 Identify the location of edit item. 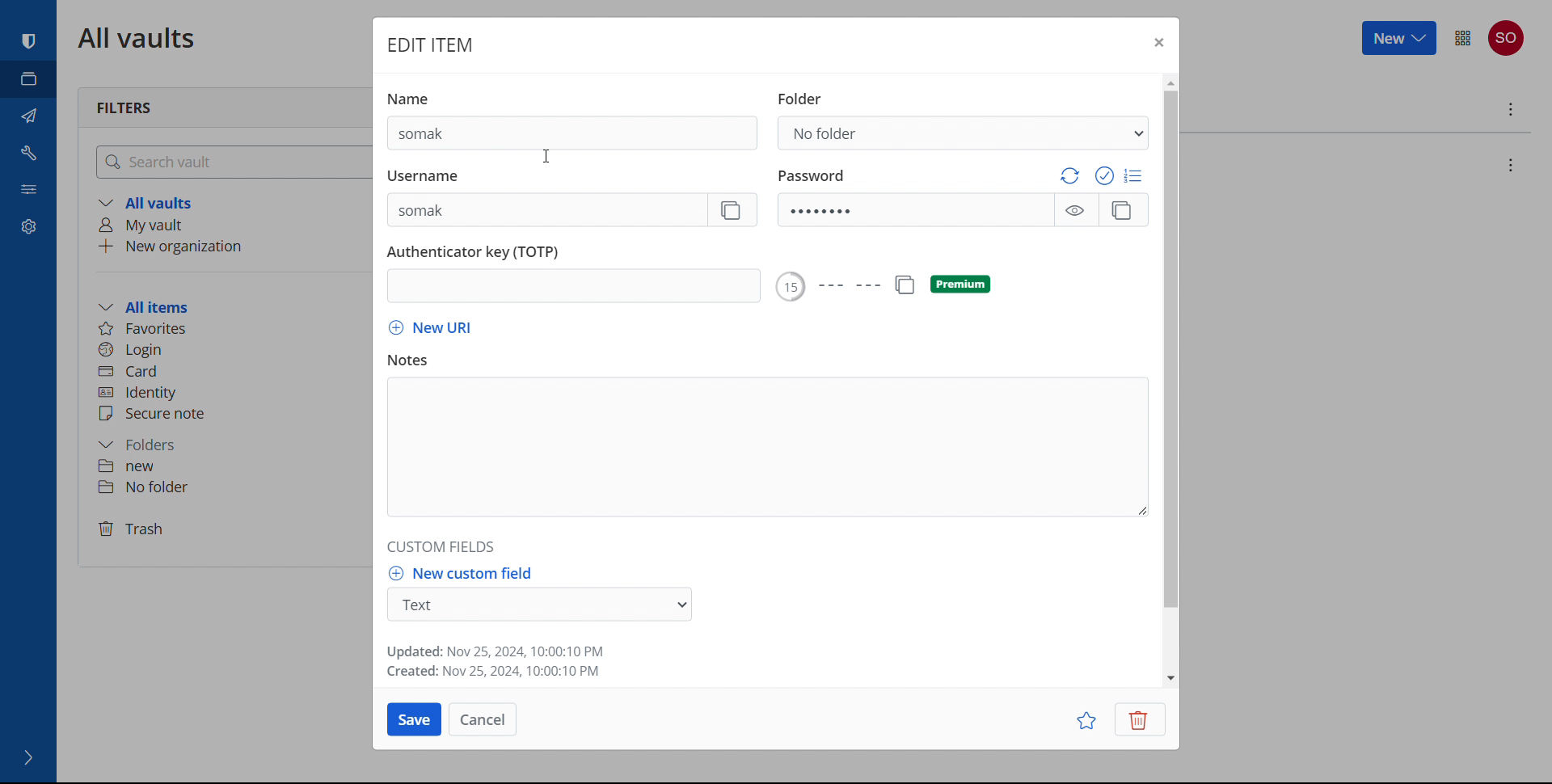
(428, 44).